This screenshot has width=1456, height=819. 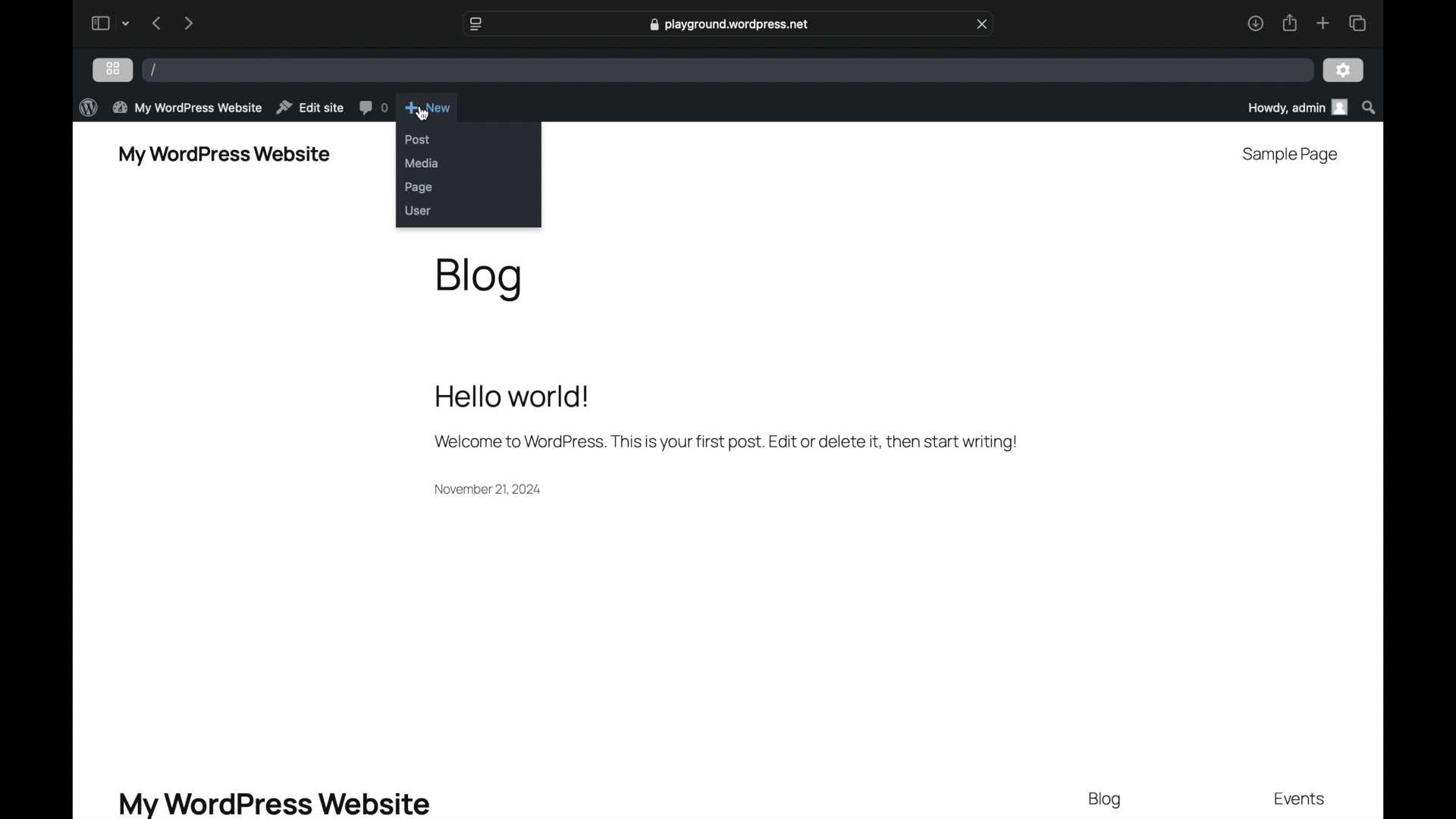 What do you see at coordinates (418, 140) in the screenshot?
I see `post` at bounding box center [418, 140].